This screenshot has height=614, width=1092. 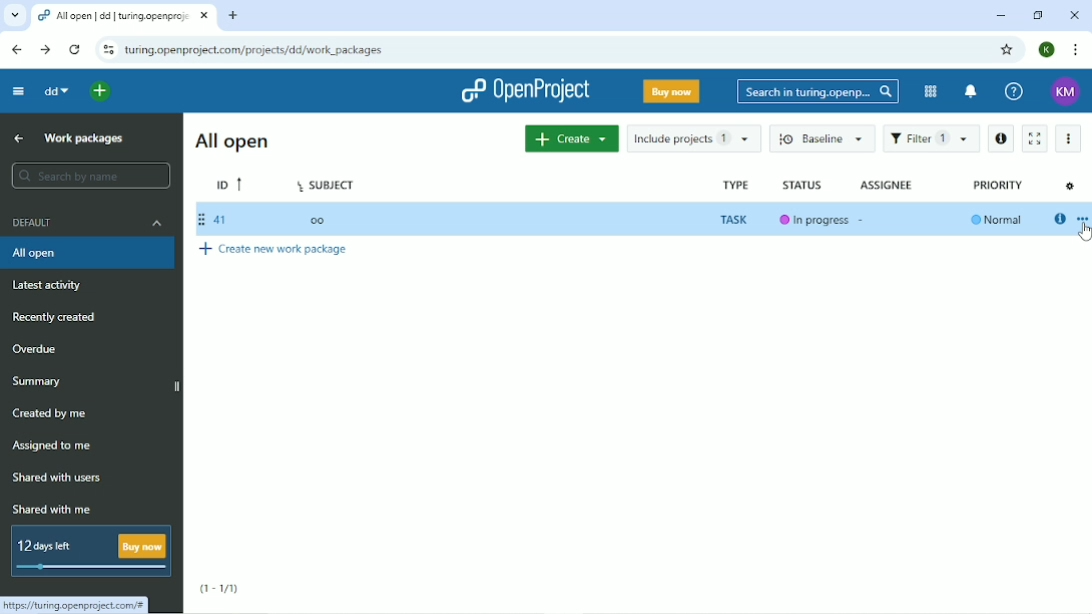 I want to click on Overdue, so click(x=35, y=349).